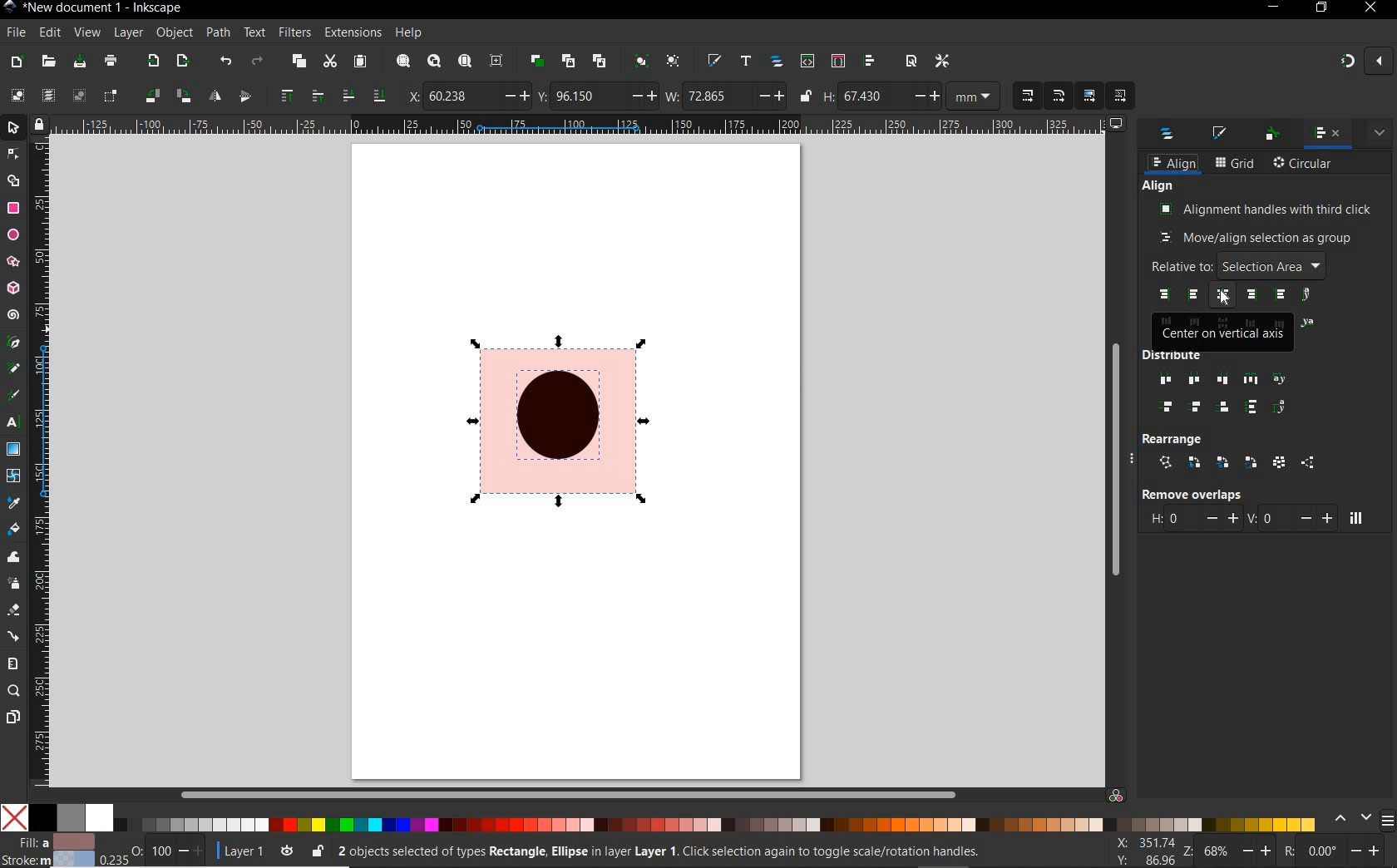  Describe the element at coordinates (12, 209) in the screenshot. I see `rectangle tool` at that location.